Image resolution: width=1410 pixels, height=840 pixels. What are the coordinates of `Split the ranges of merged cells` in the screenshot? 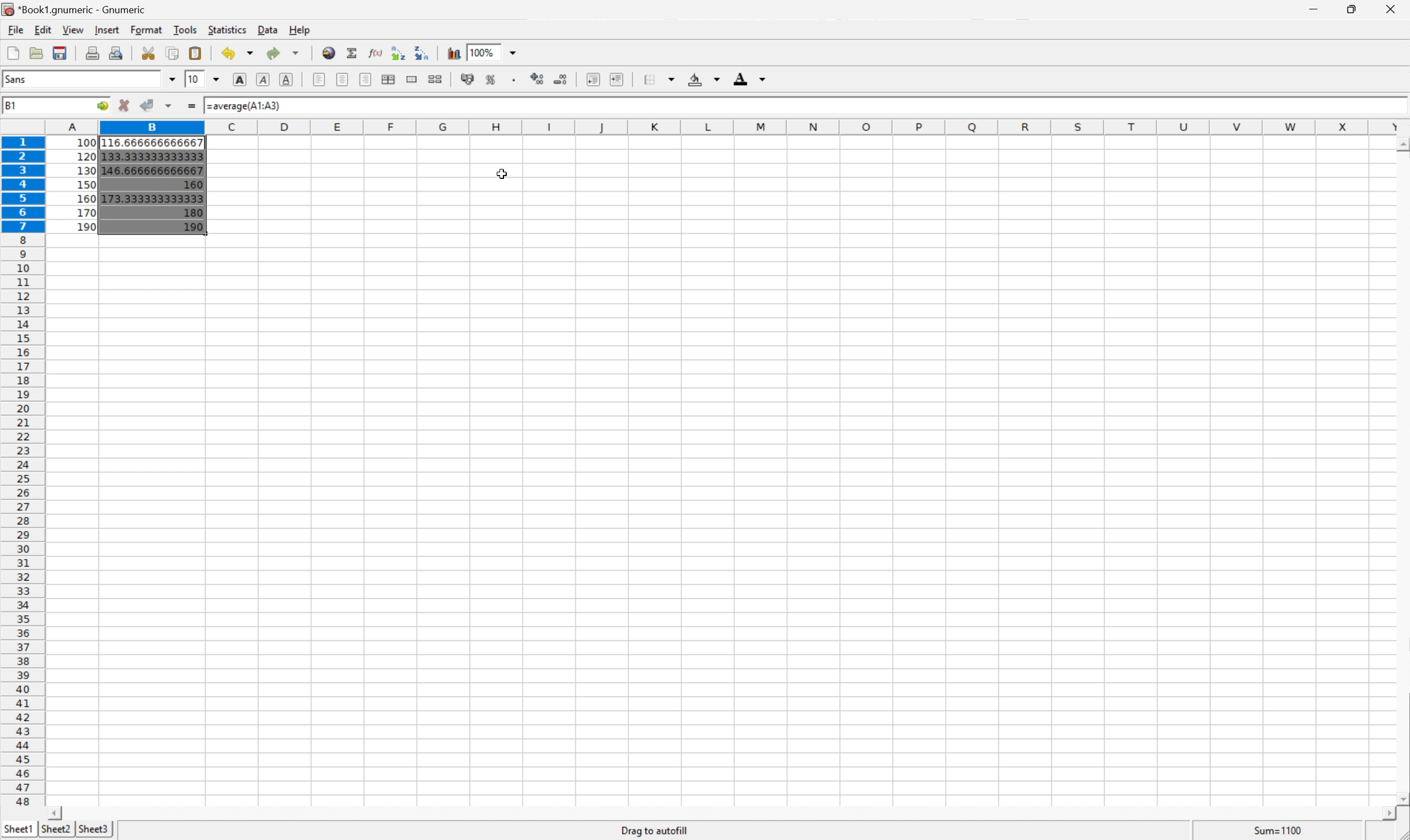 It's located at (435, 79).